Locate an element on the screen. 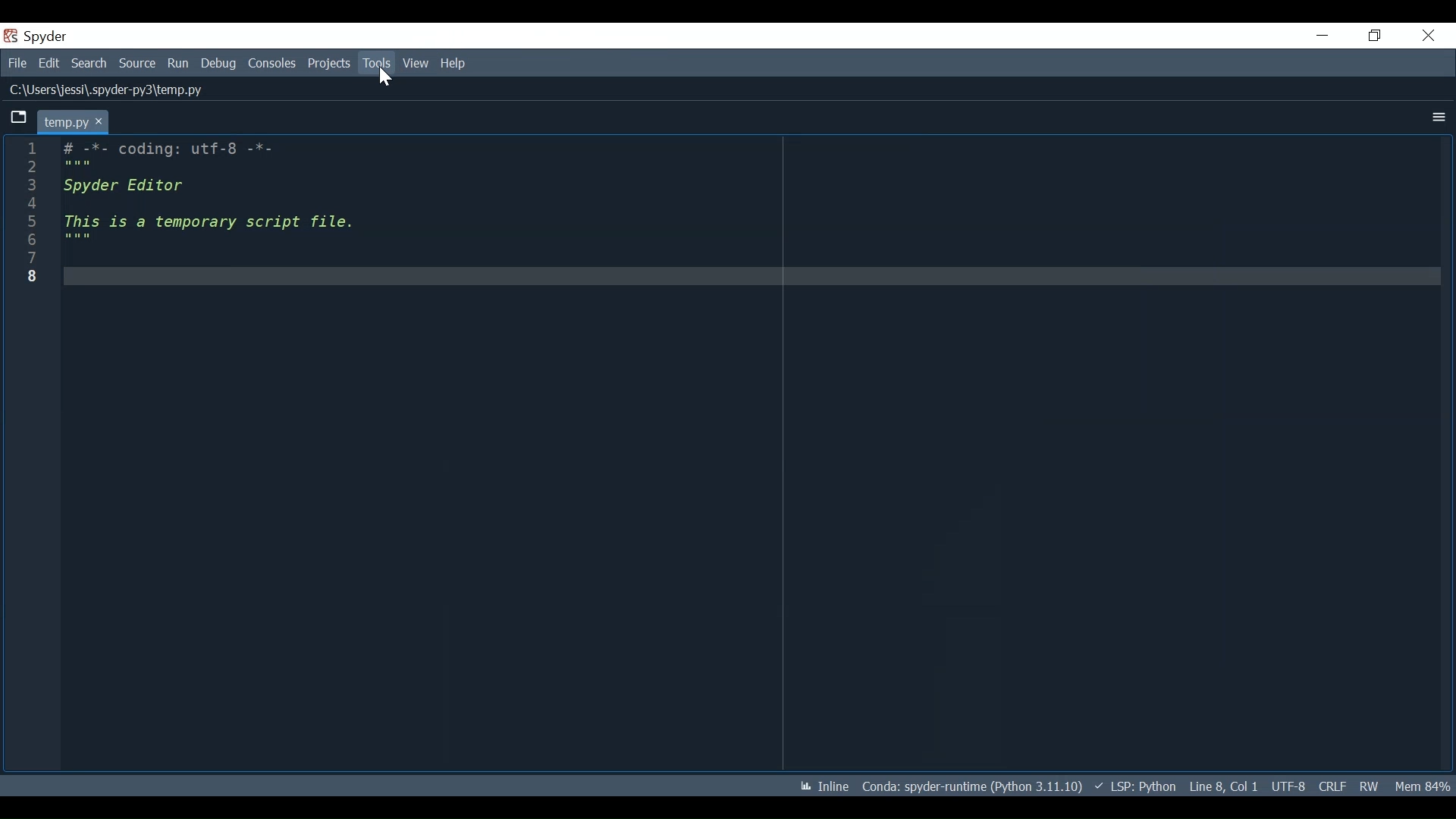 The height and width of the screenshot is (819, 1456). Toggle inline and interactive Matplotlib plotting is located at coordinates (824, 786).